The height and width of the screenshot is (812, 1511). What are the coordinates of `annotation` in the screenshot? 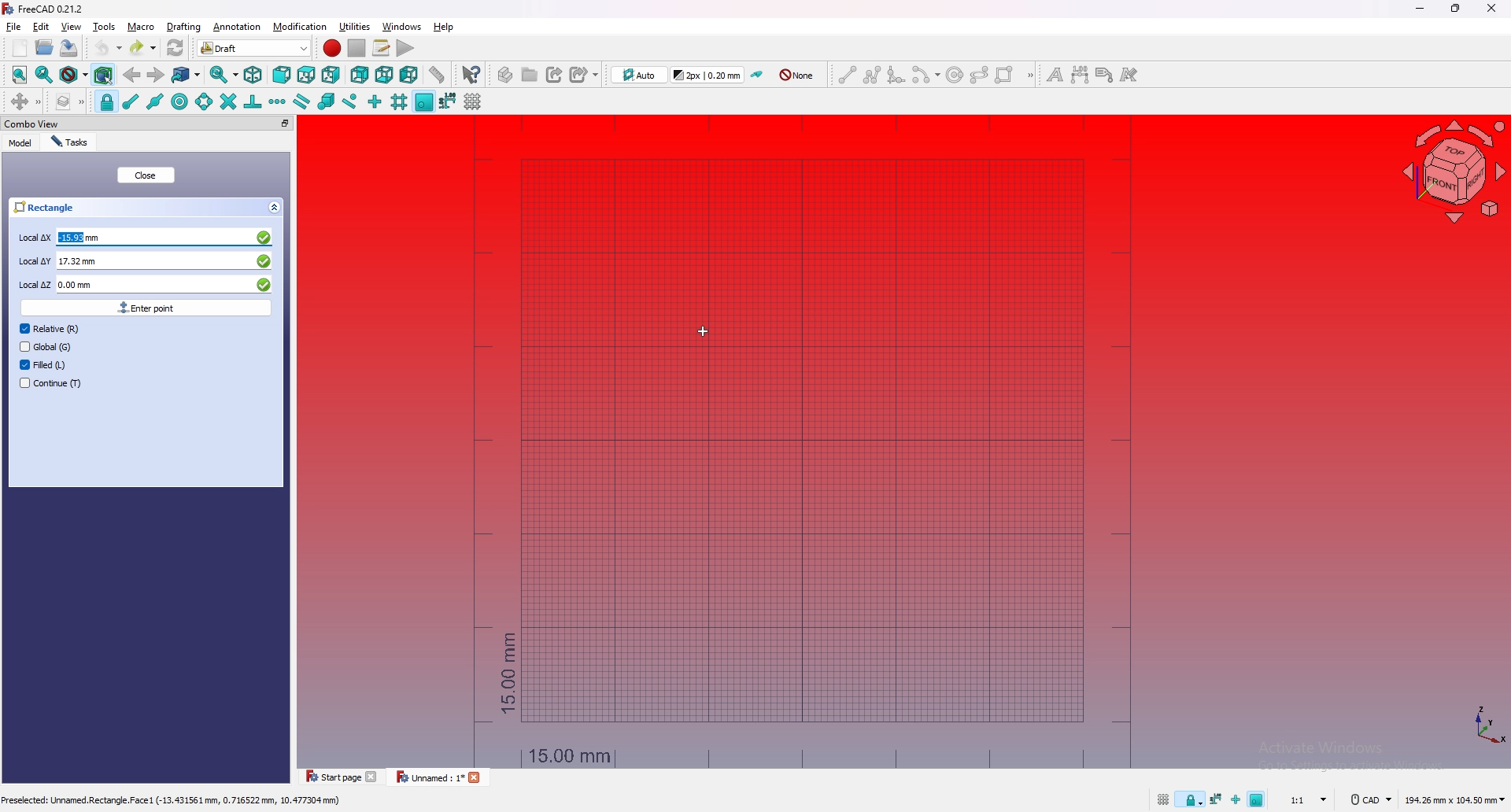 It's located at (238, 27).